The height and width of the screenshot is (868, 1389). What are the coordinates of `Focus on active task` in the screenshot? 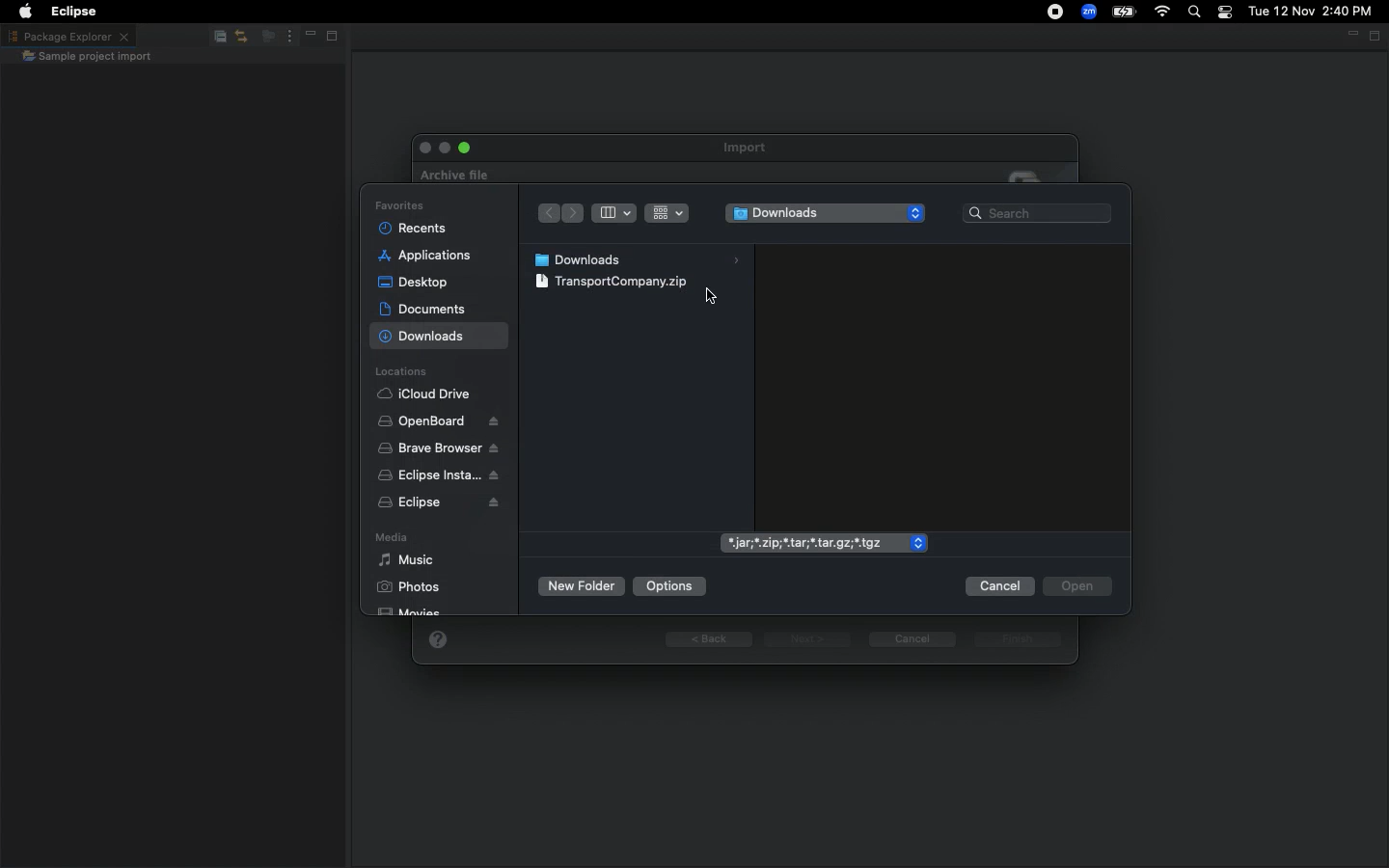 It's located at (262, 38).